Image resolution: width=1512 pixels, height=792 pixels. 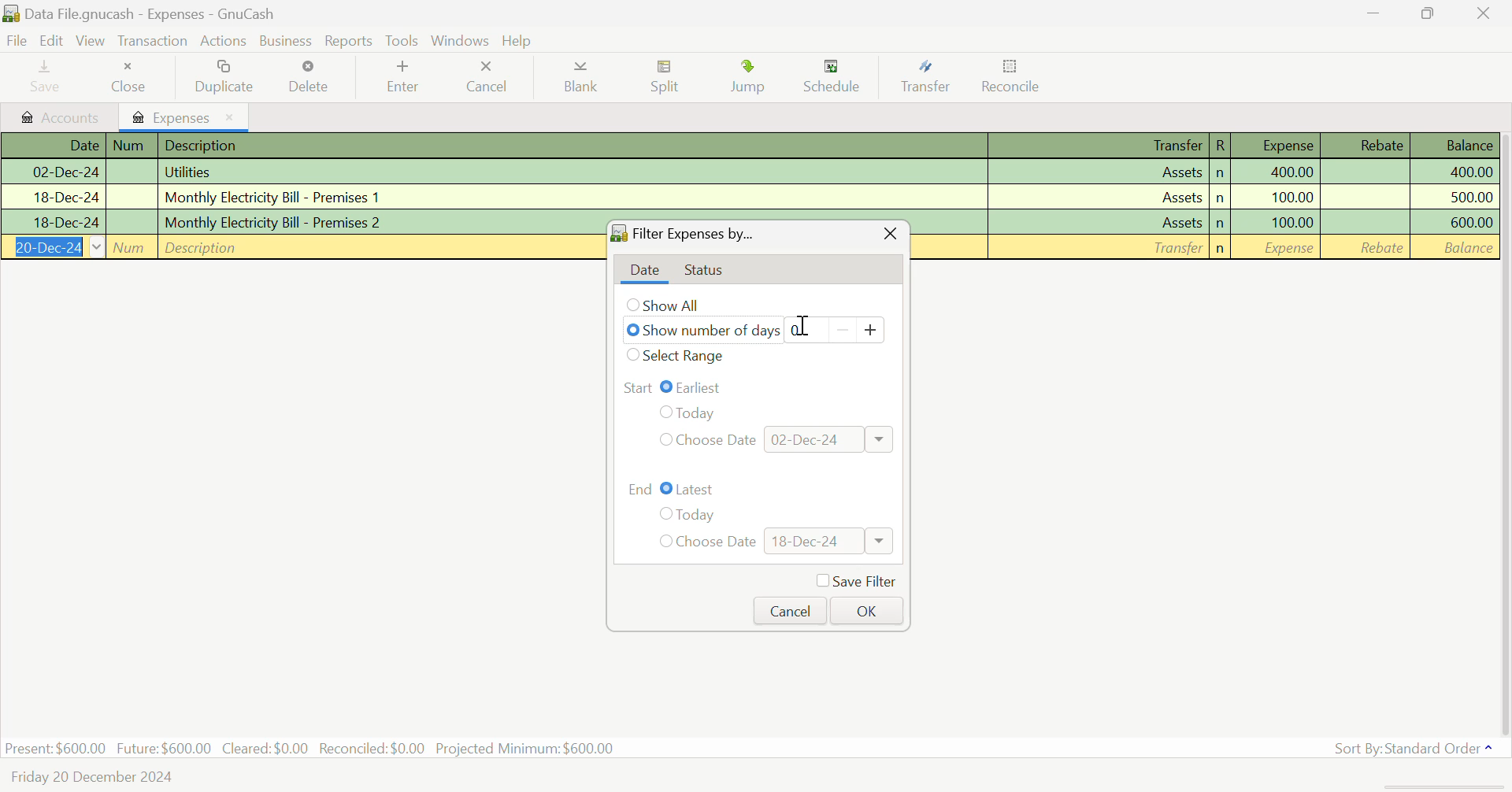 What do you see at coordinates (688, 516) in the screenshot?
I see `Today` at bounding box center [688, 516].